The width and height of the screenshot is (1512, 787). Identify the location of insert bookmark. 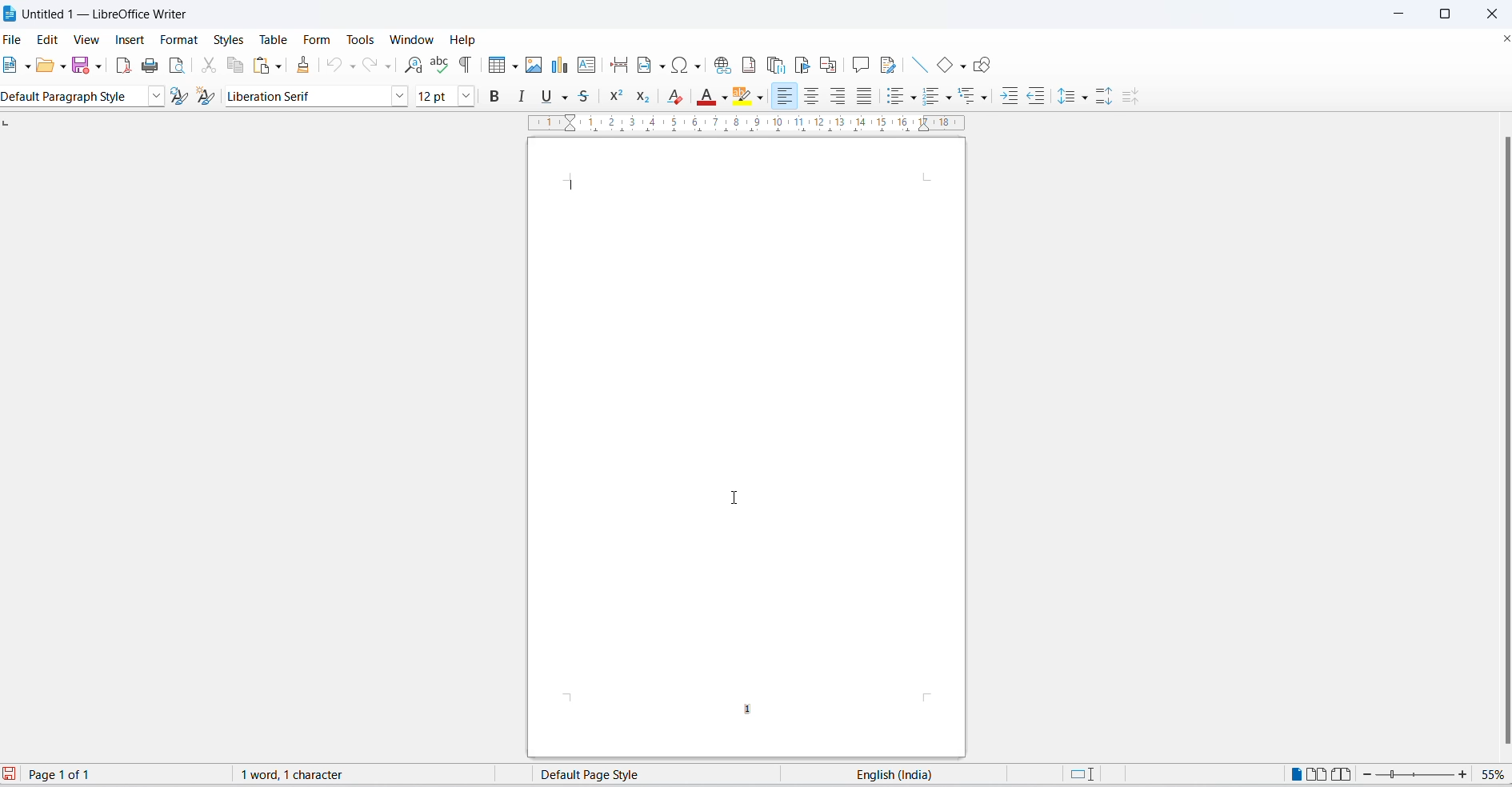
(801, 65).